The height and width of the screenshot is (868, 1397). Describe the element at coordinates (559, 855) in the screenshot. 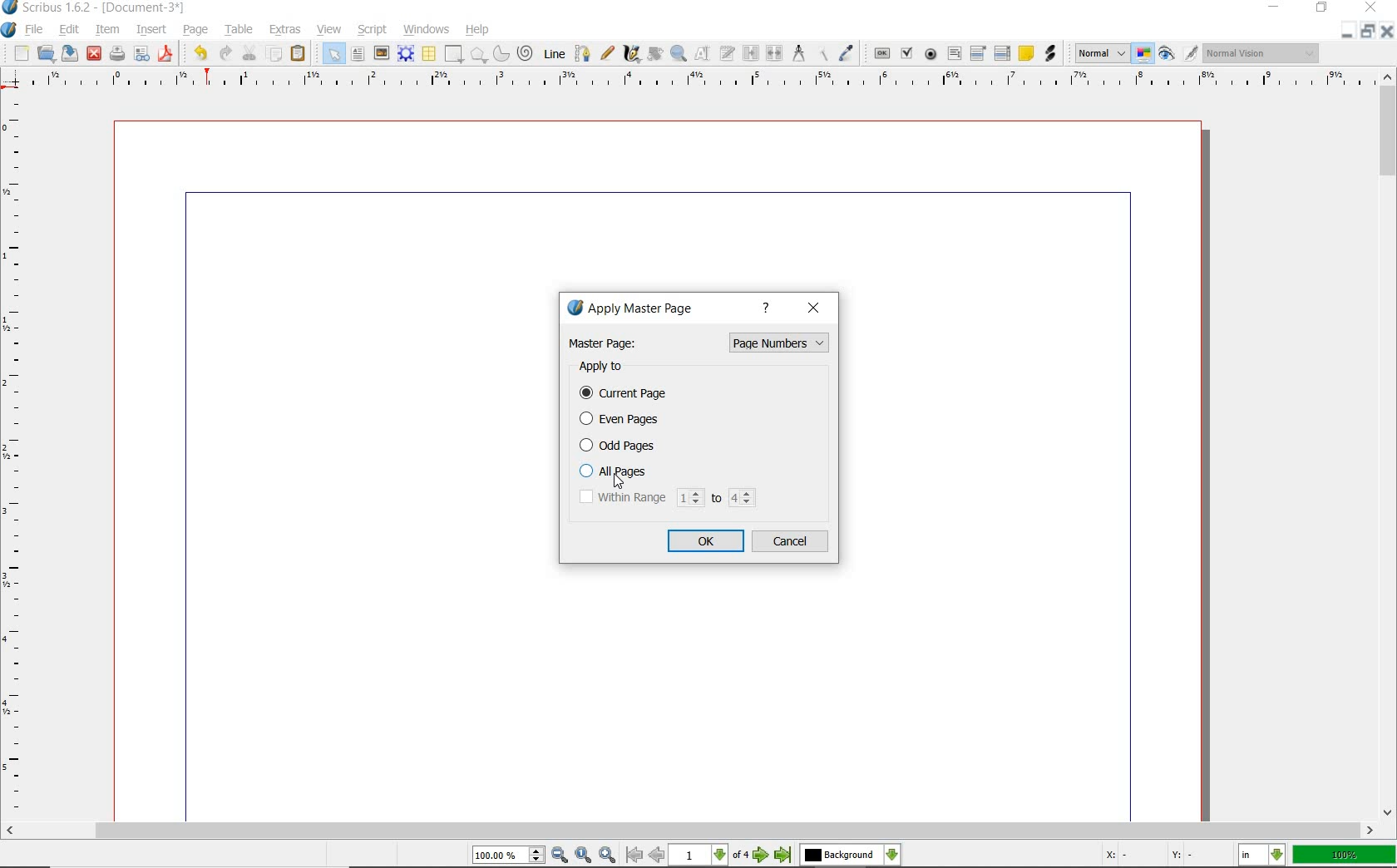

I see `Zoom Out` at that location.